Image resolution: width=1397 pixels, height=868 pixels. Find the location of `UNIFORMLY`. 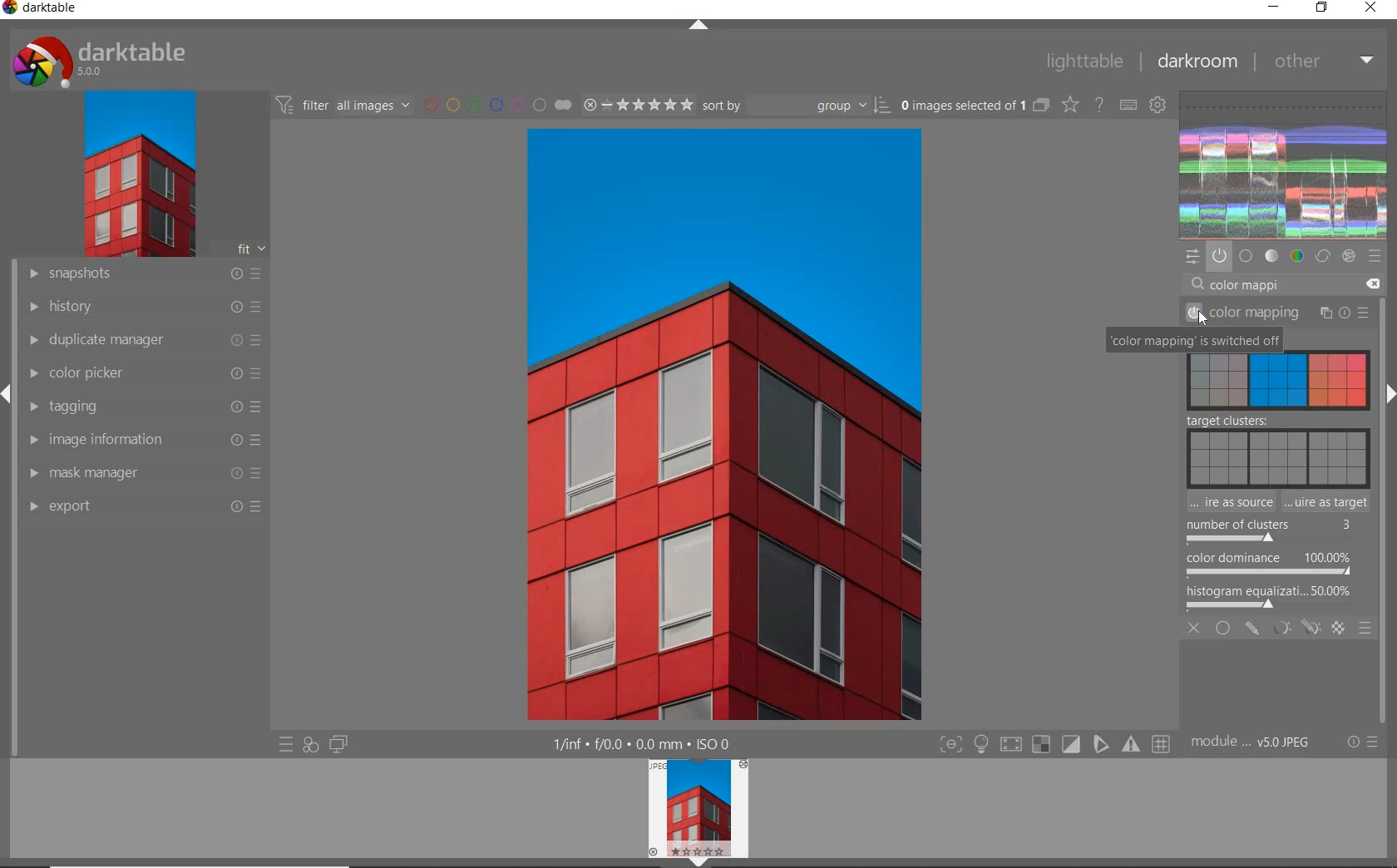

UNIFORMLY is located at coordinates (1223, 629).